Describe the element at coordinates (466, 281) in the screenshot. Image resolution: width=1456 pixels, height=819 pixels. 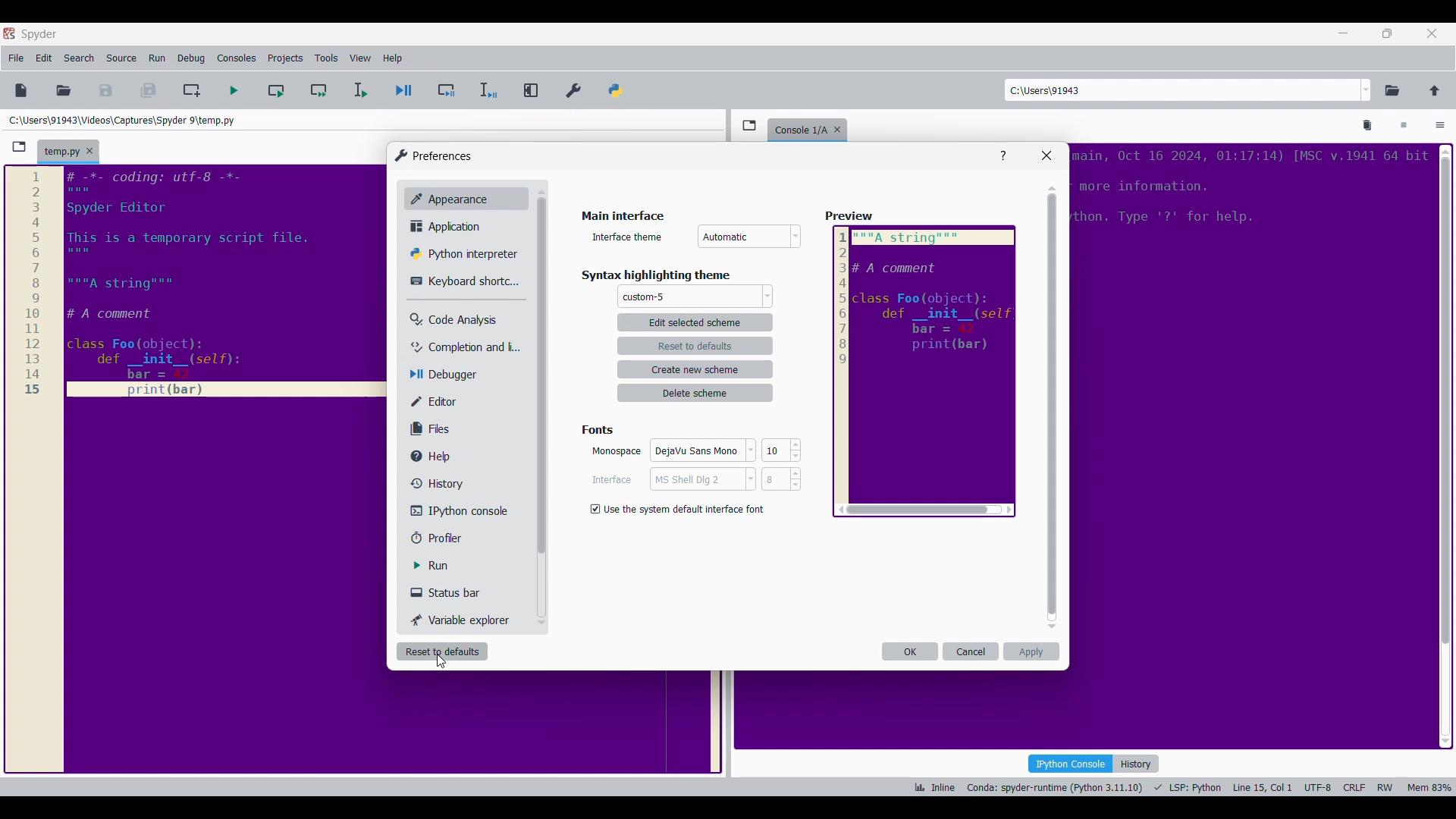
I see `Keyboard shortcuts` at that location.